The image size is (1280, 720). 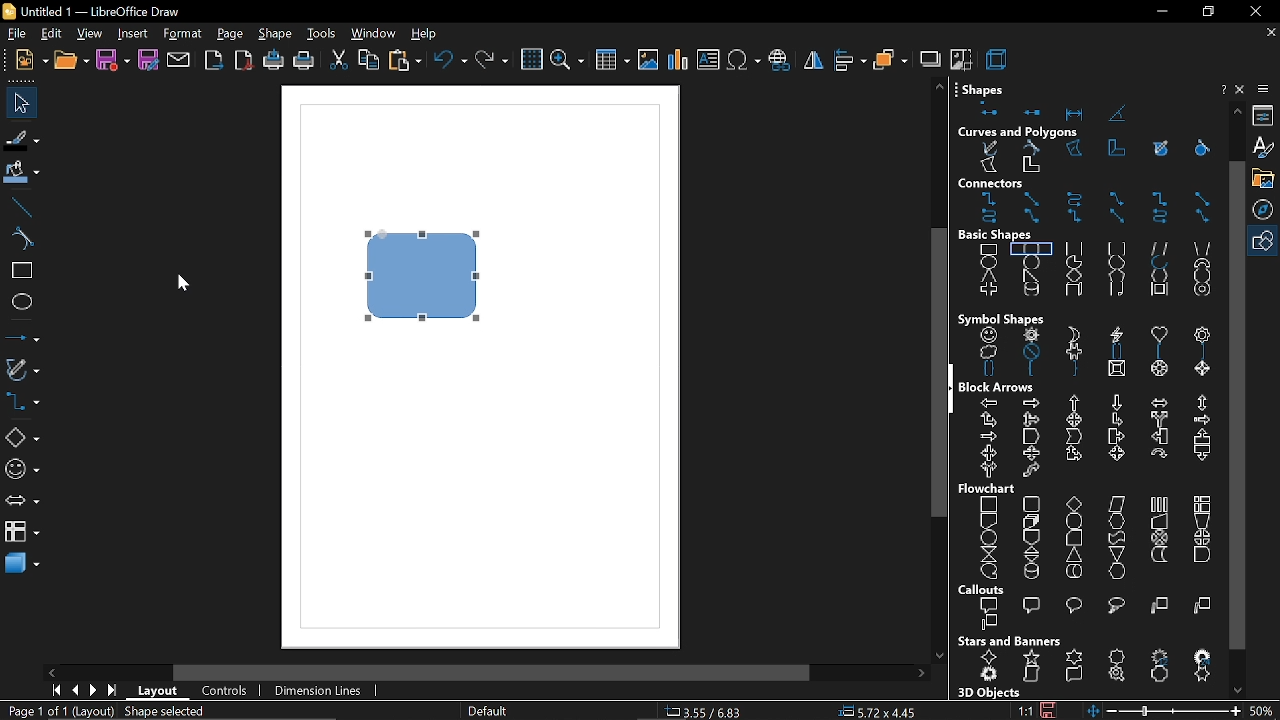 What do you see at coordinates (303, 63) in the screenshot?
I see `print` at bounding box center [303, 63].